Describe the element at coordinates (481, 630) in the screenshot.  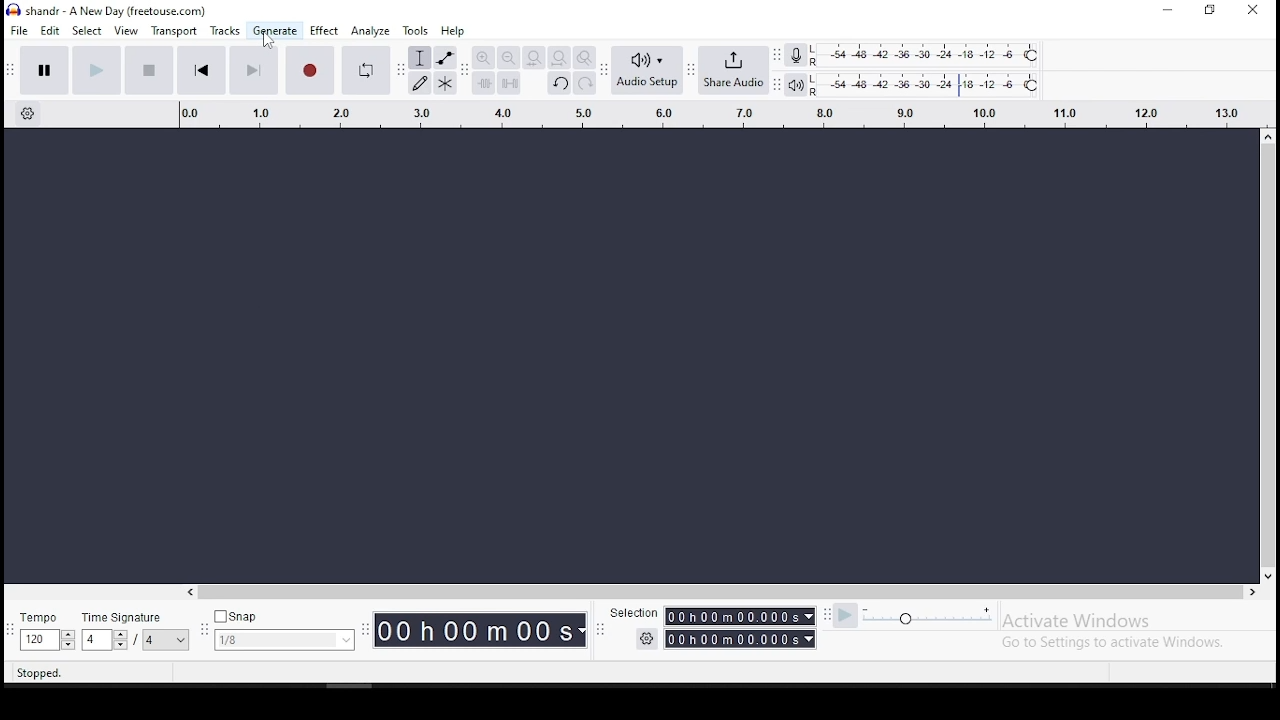
I see `00 h 00m 00 Ss` at that location.